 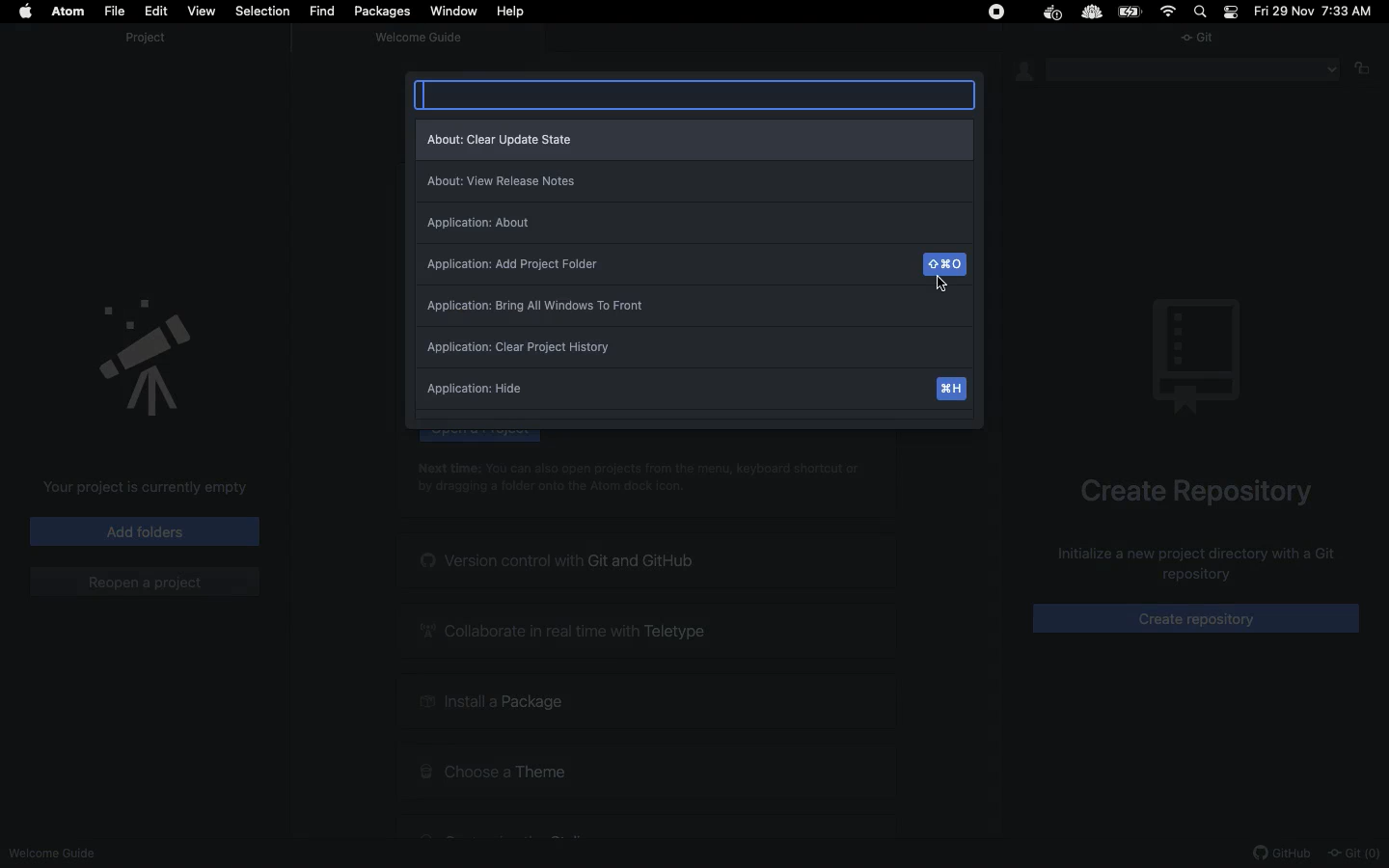 I want to click on Help, so click(x=510, y=12).